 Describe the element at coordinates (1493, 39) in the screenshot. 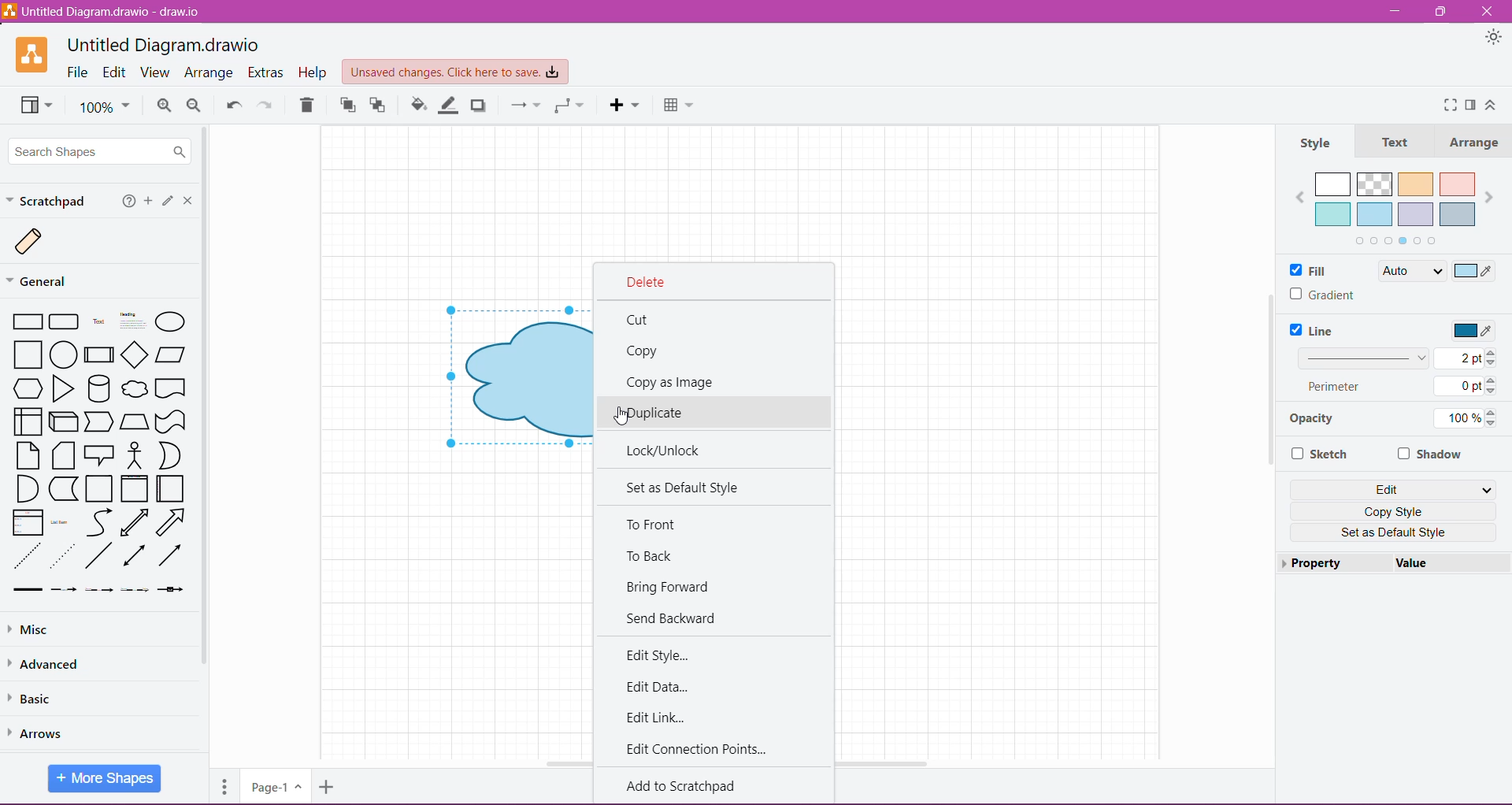

I see `Appearance` at that location.